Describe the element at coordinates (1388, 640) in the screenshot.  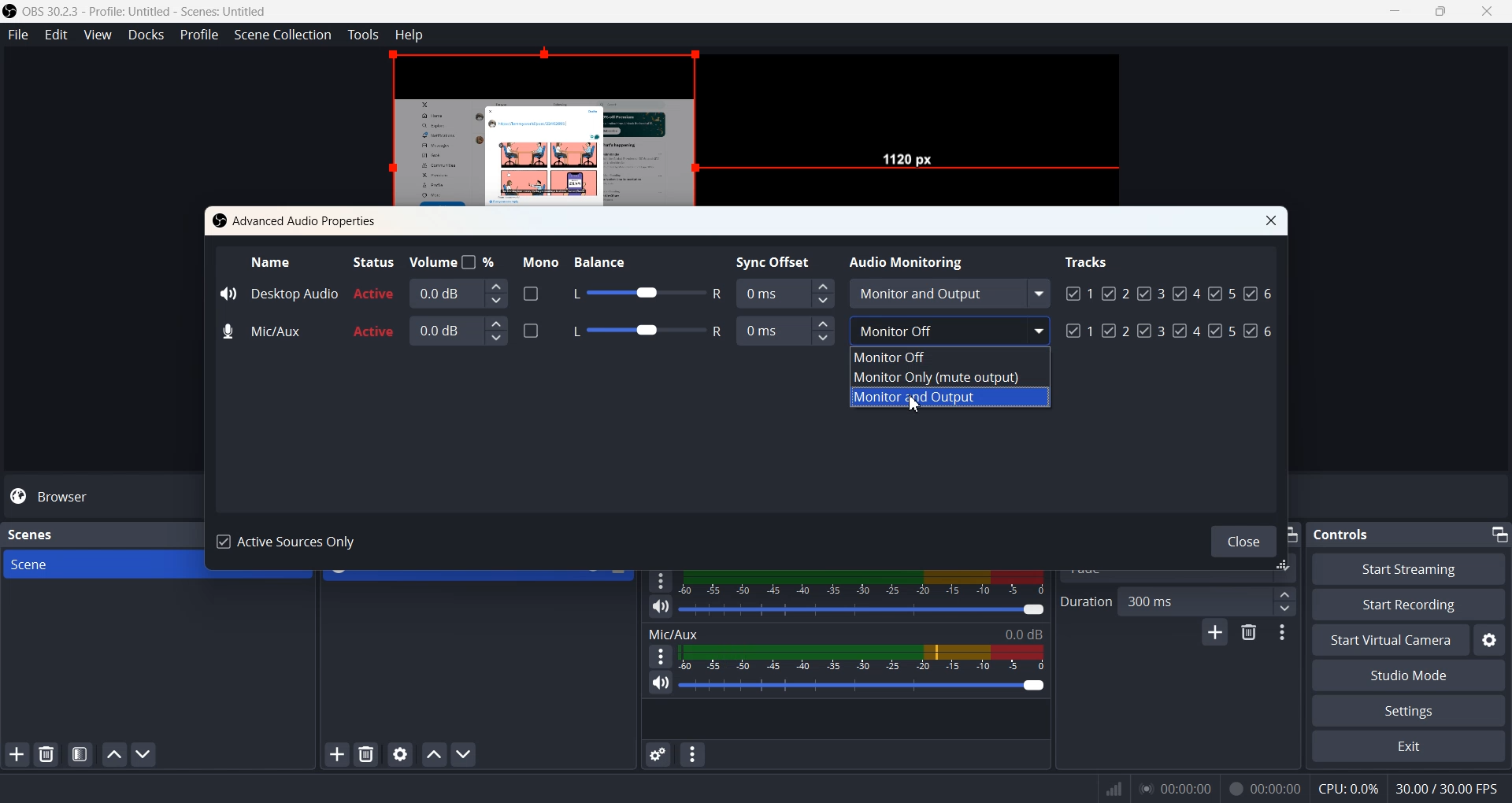
I see `Start Virtual Camera` at that location.